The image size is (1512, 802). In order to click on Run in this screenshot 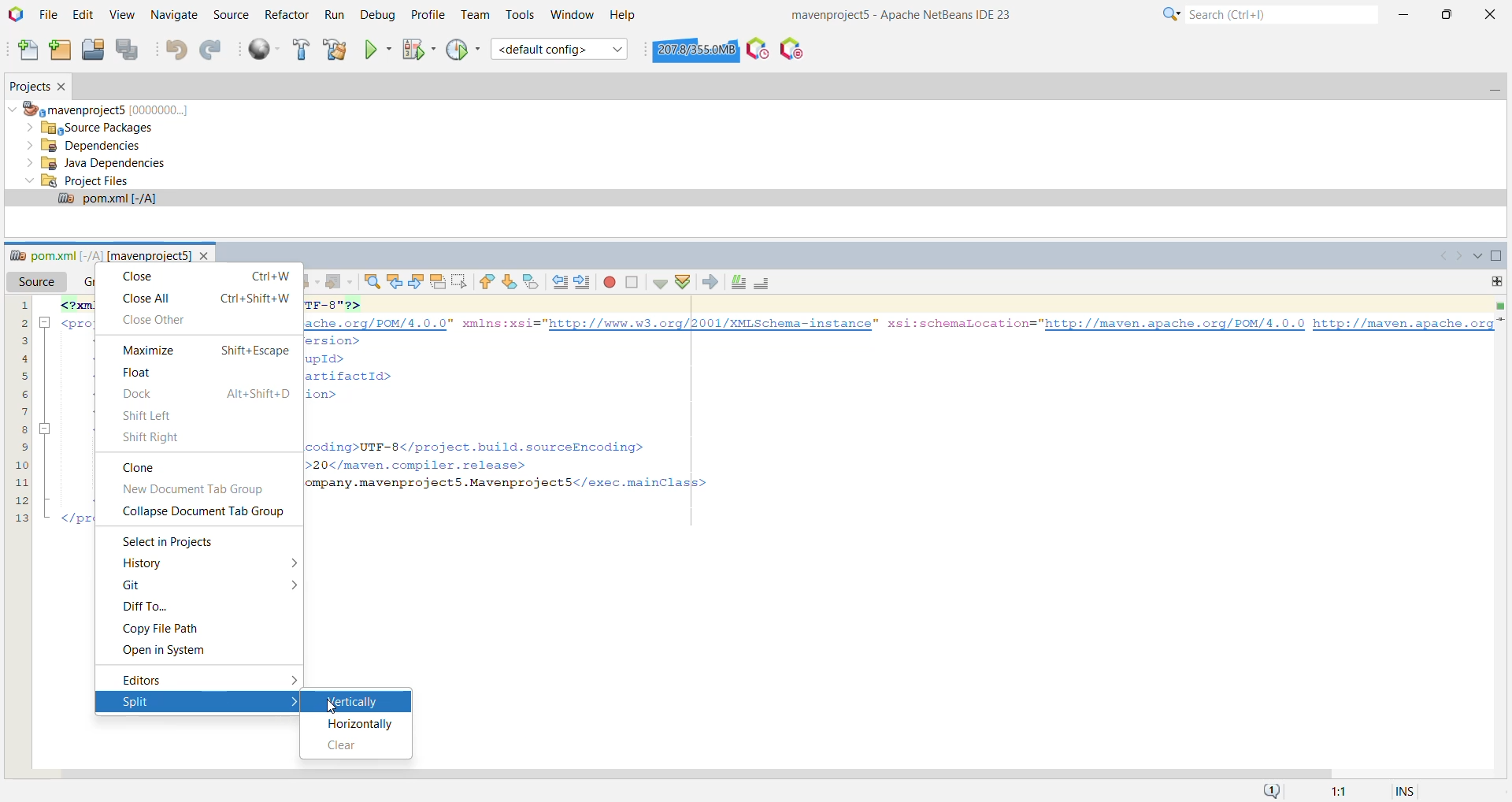, I will do `click(333, 16)`.